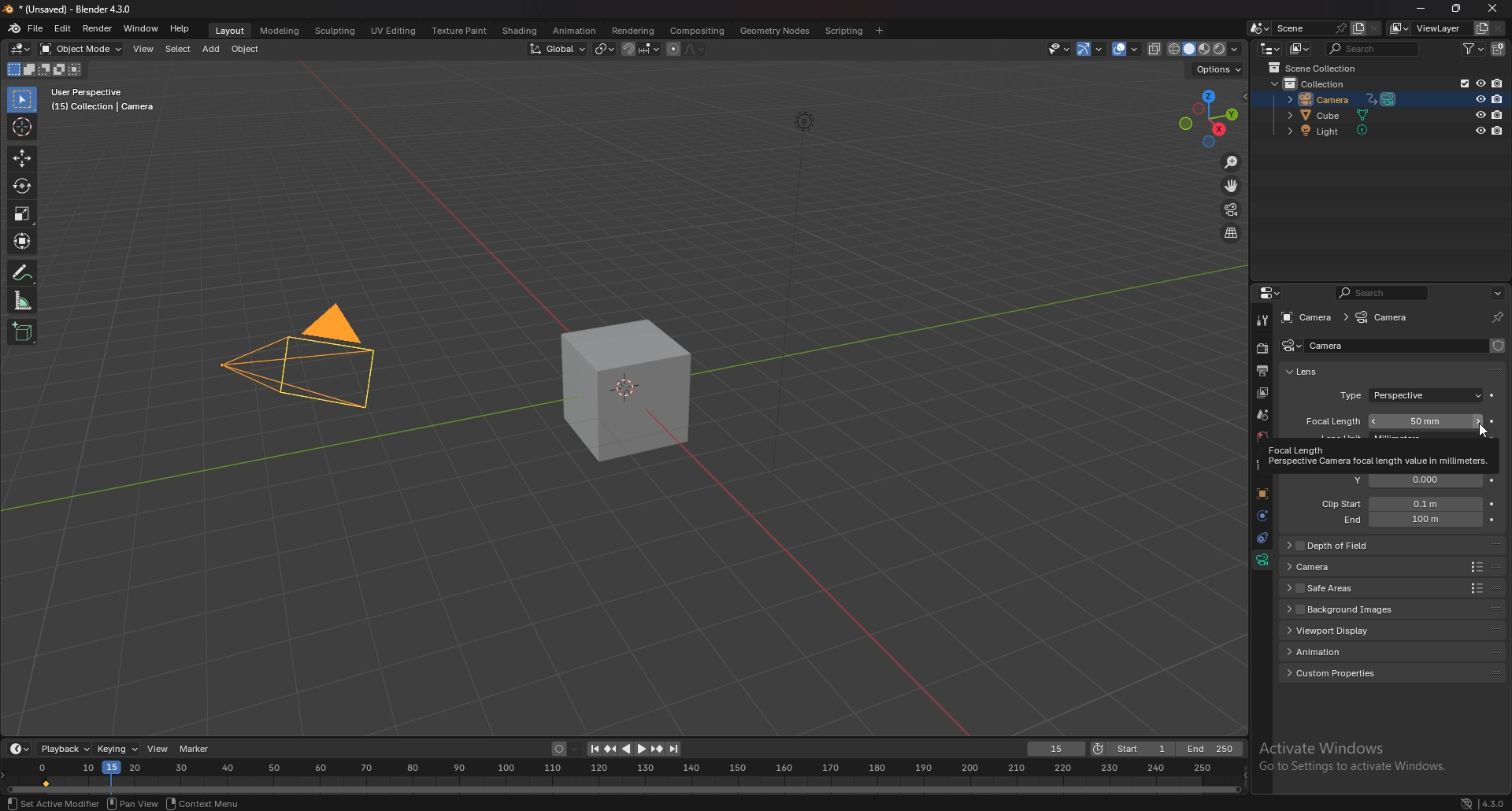 This screenshot has height=811, width=1512. Describe the element at coordinates (1262, 320) in the screenshot. I see `tool` at that location.